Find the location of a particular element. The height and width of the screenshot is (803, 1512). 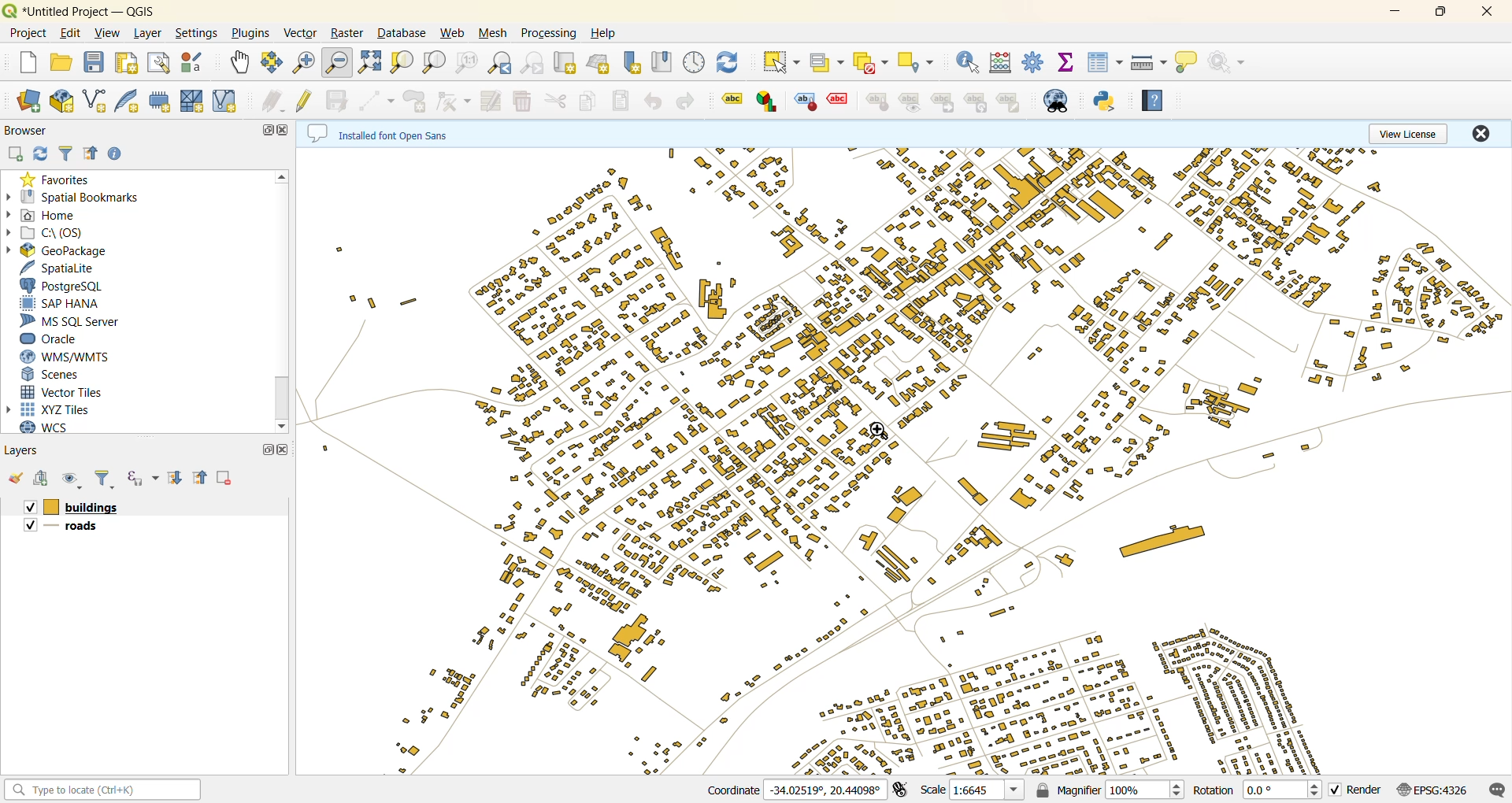

postgresql is located at coordinates (66, 287).